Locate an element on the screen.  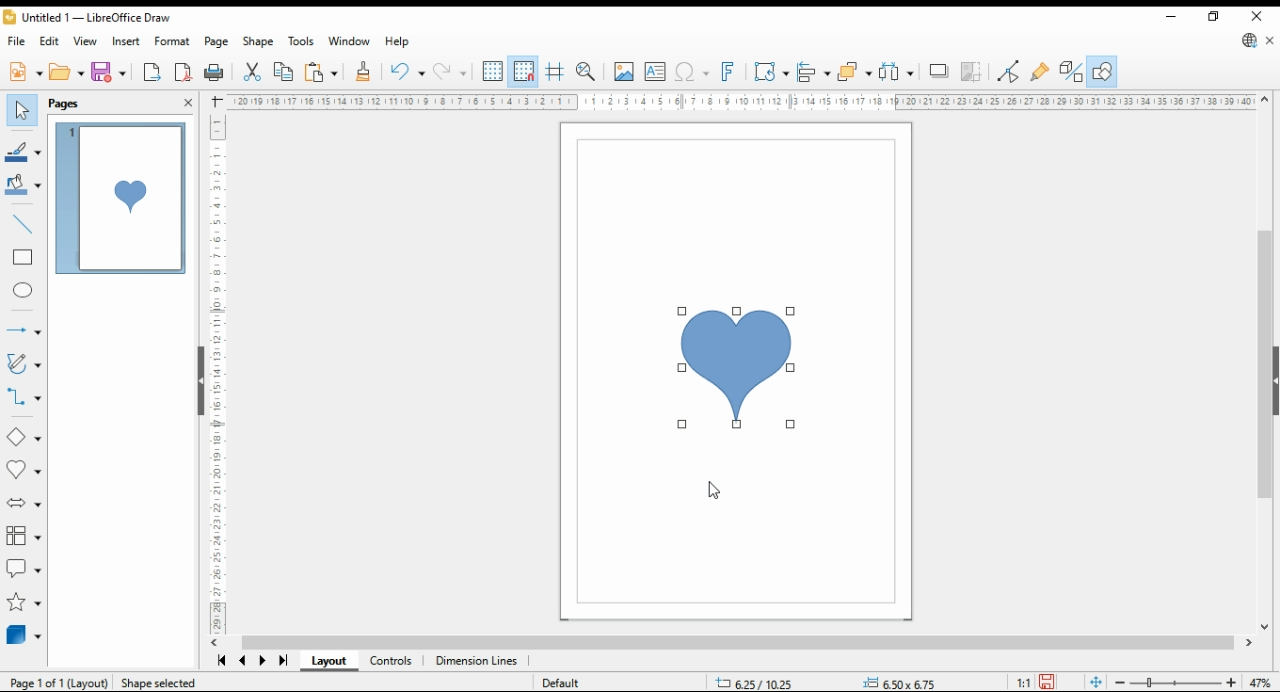
page is located at coordinates (217, 43).